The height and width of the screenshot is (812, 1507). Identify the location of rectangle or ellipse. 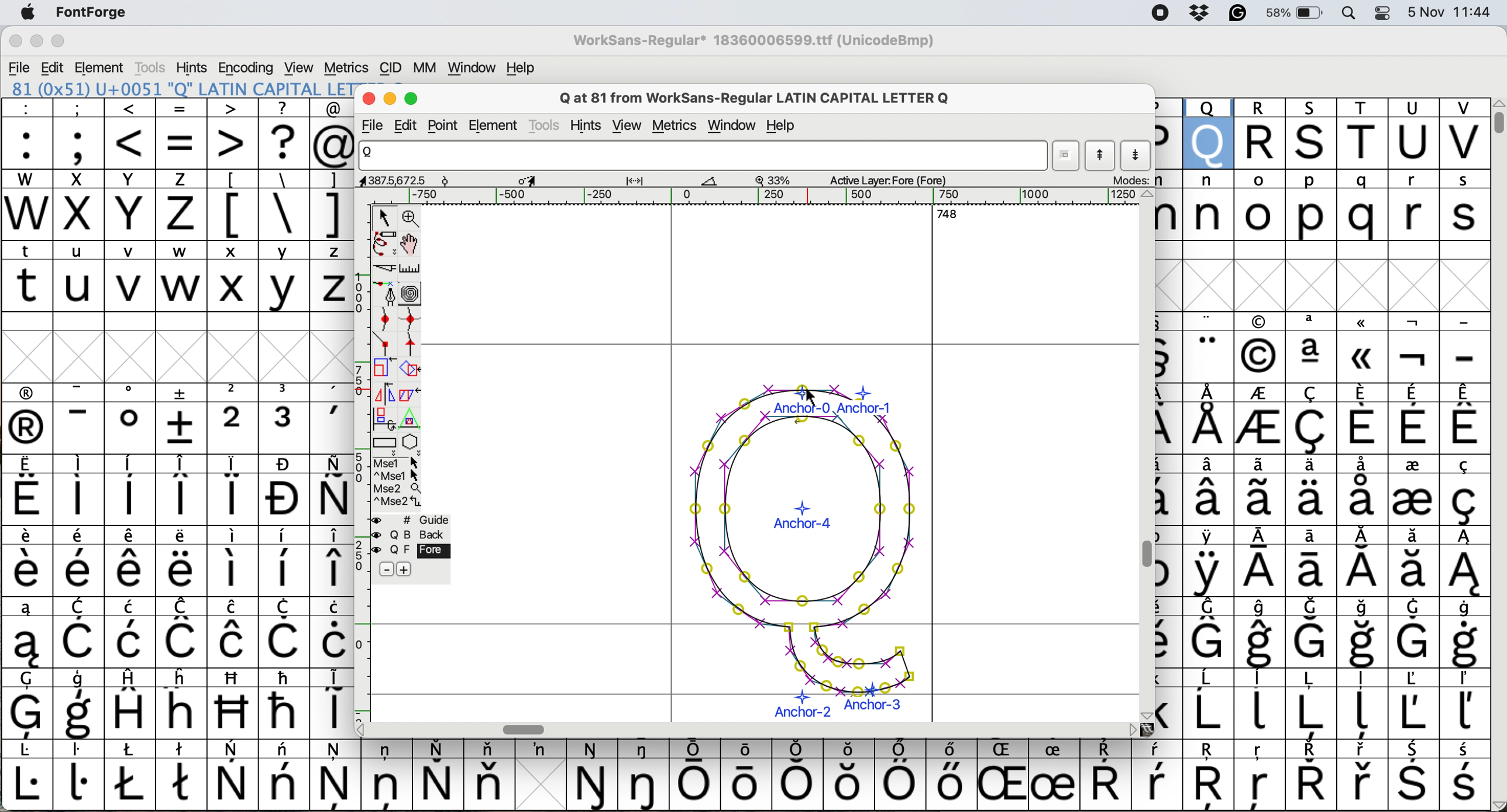
(386, 445).